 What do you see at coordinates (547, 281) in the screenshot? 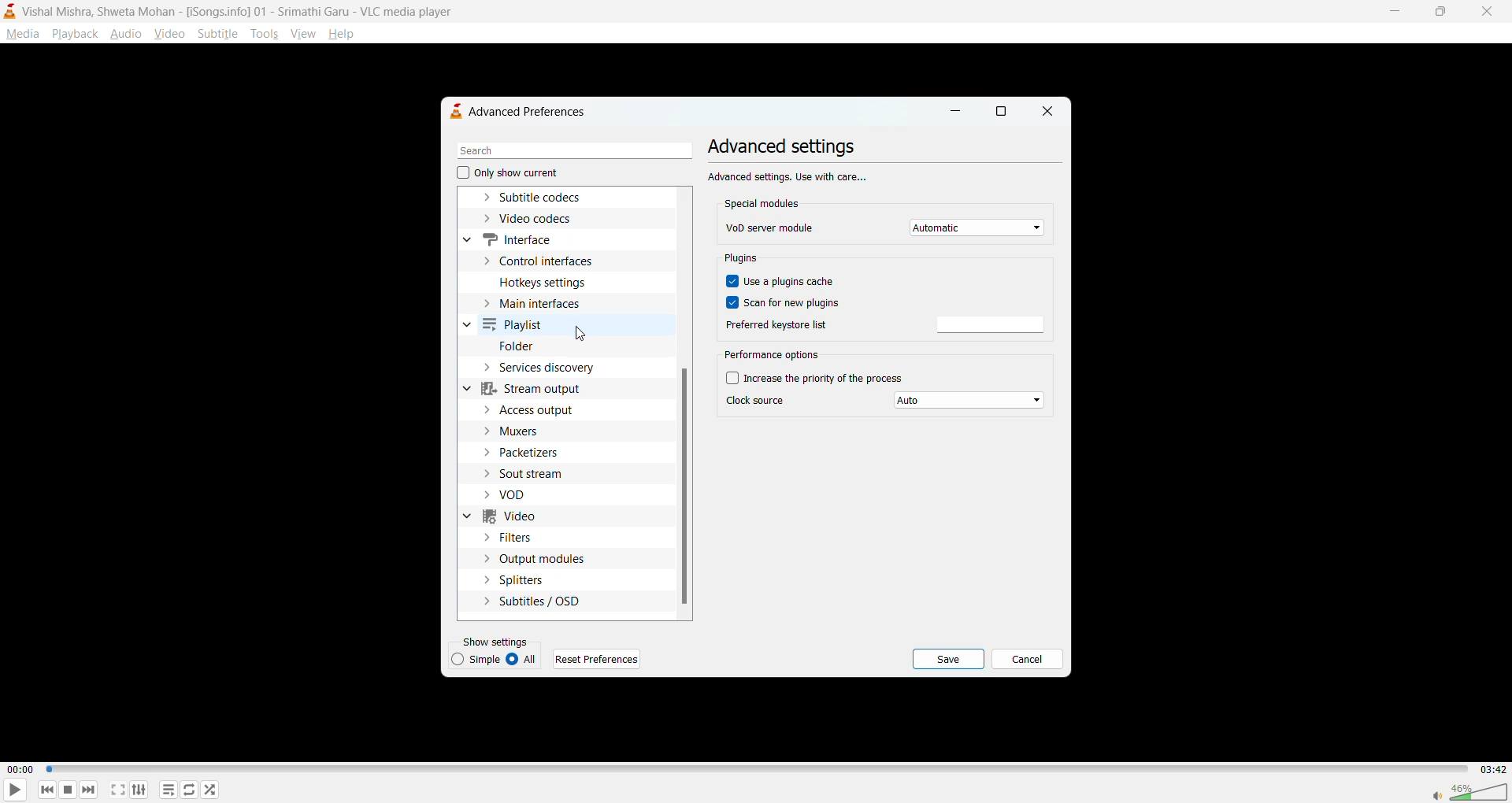
I see `hotkeys settings` at bounding box center [547, 281].